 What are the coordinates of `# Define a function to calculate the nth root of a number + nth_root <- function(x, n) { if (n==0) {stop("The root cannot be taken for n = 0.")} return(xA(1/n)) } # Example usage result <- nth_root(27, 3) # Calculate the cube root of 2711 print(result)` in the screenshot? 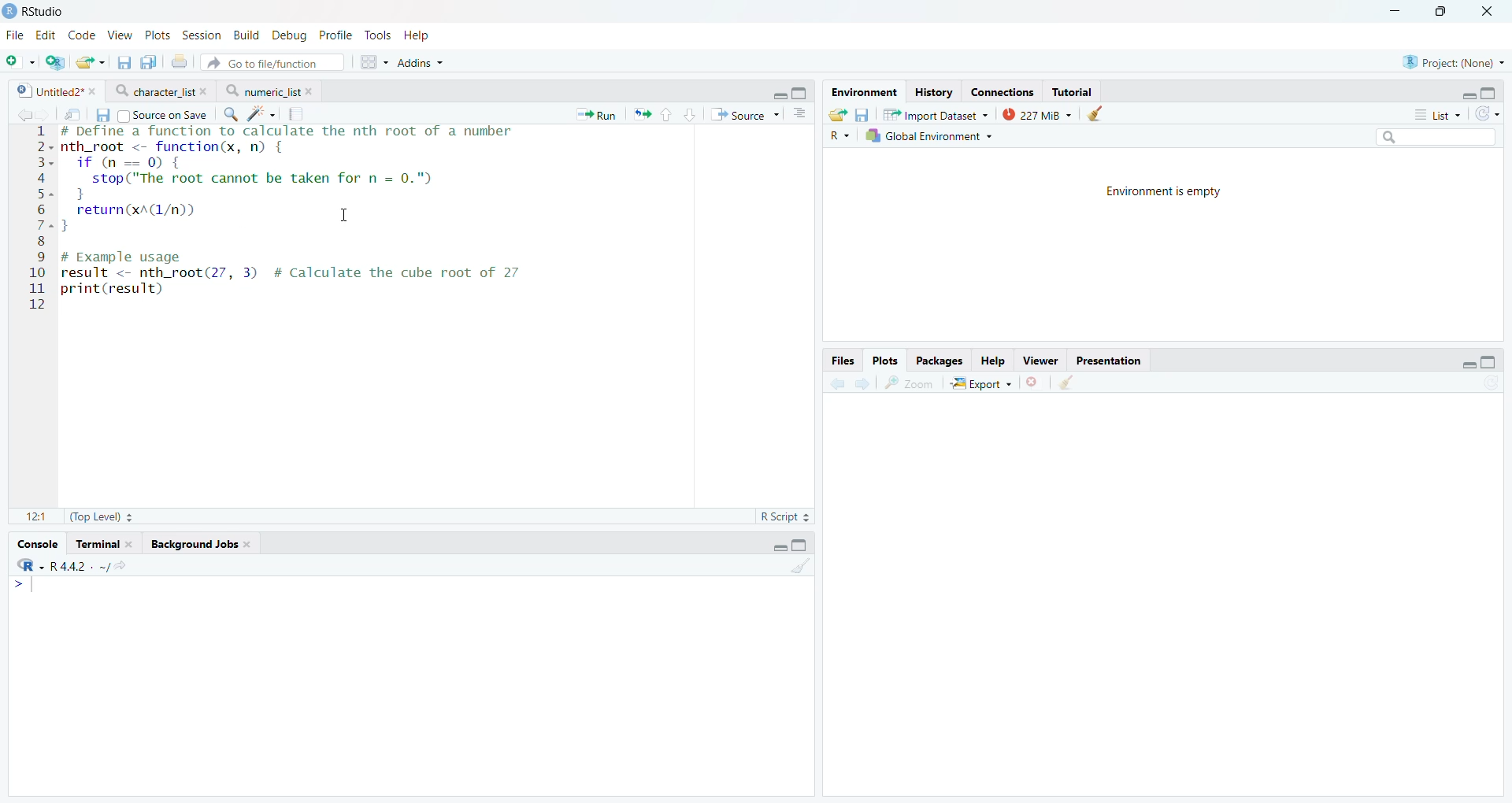 It's located at (321, 216).